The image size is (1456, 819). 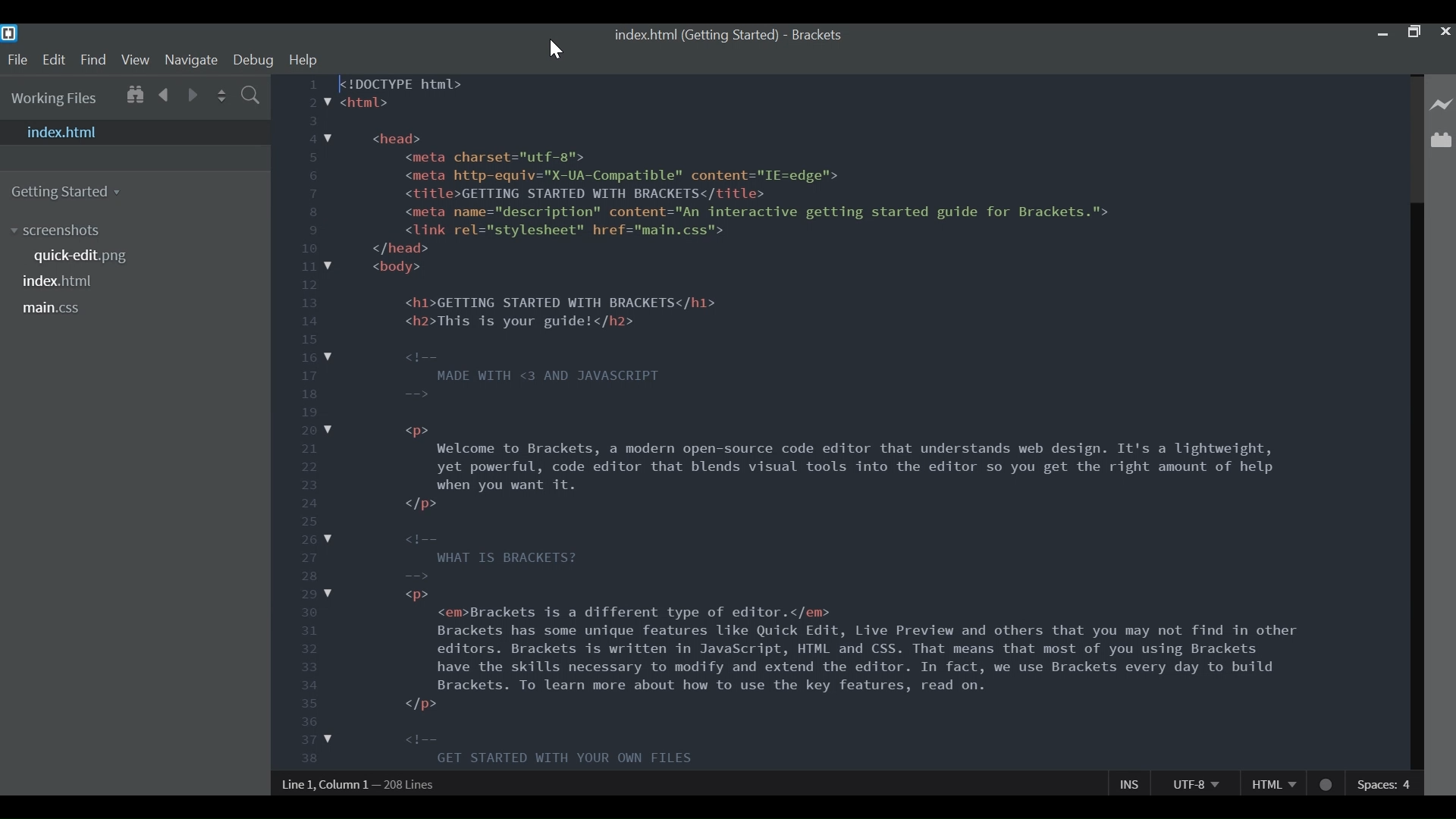 What do you see at coordinates (1386, 783) in the screenshot?
I see `Space: 4` at bounding box center [1386, 783].